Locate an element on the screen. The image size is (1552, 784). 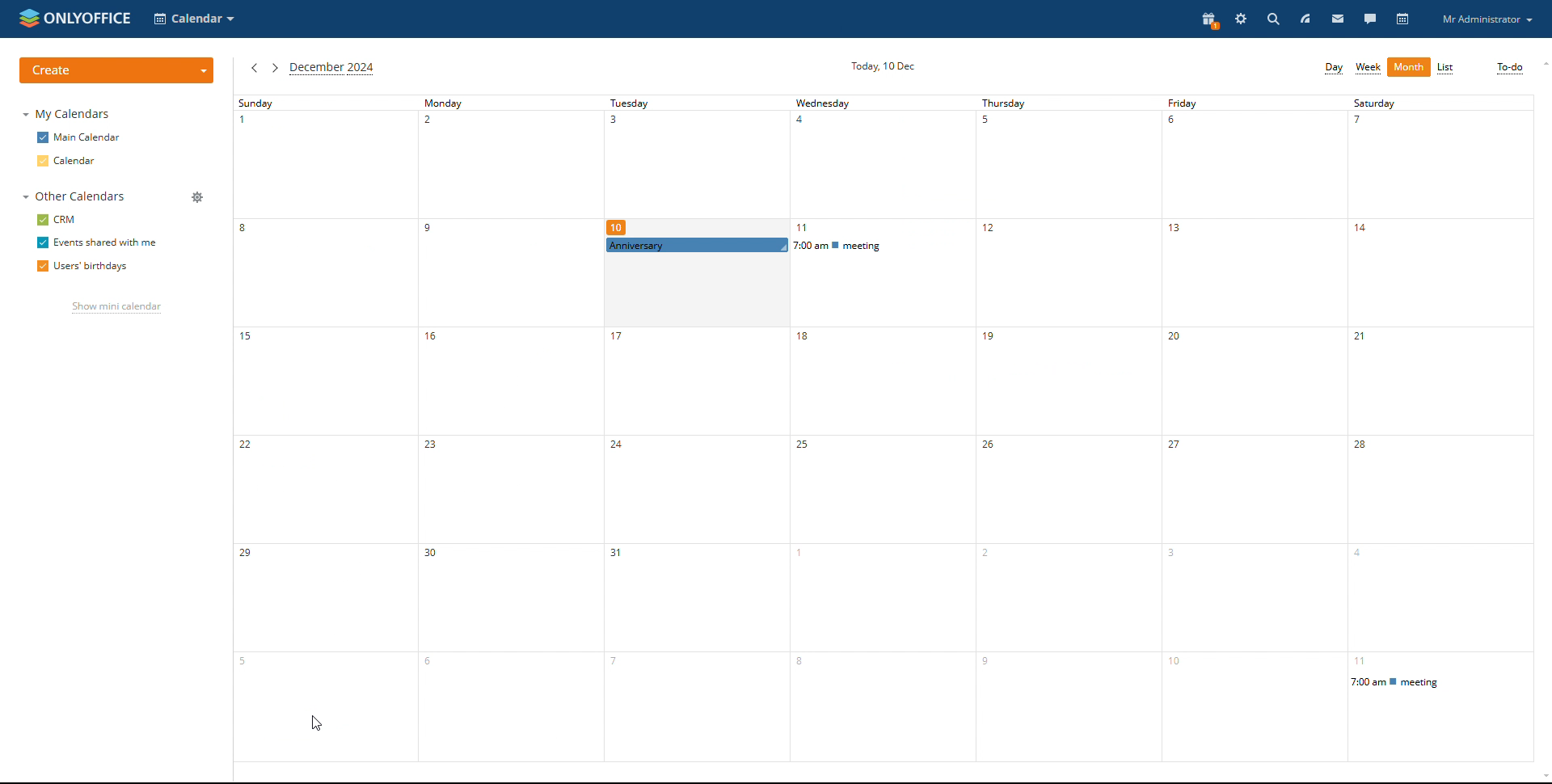
logo is located at coordinates (75, 18).